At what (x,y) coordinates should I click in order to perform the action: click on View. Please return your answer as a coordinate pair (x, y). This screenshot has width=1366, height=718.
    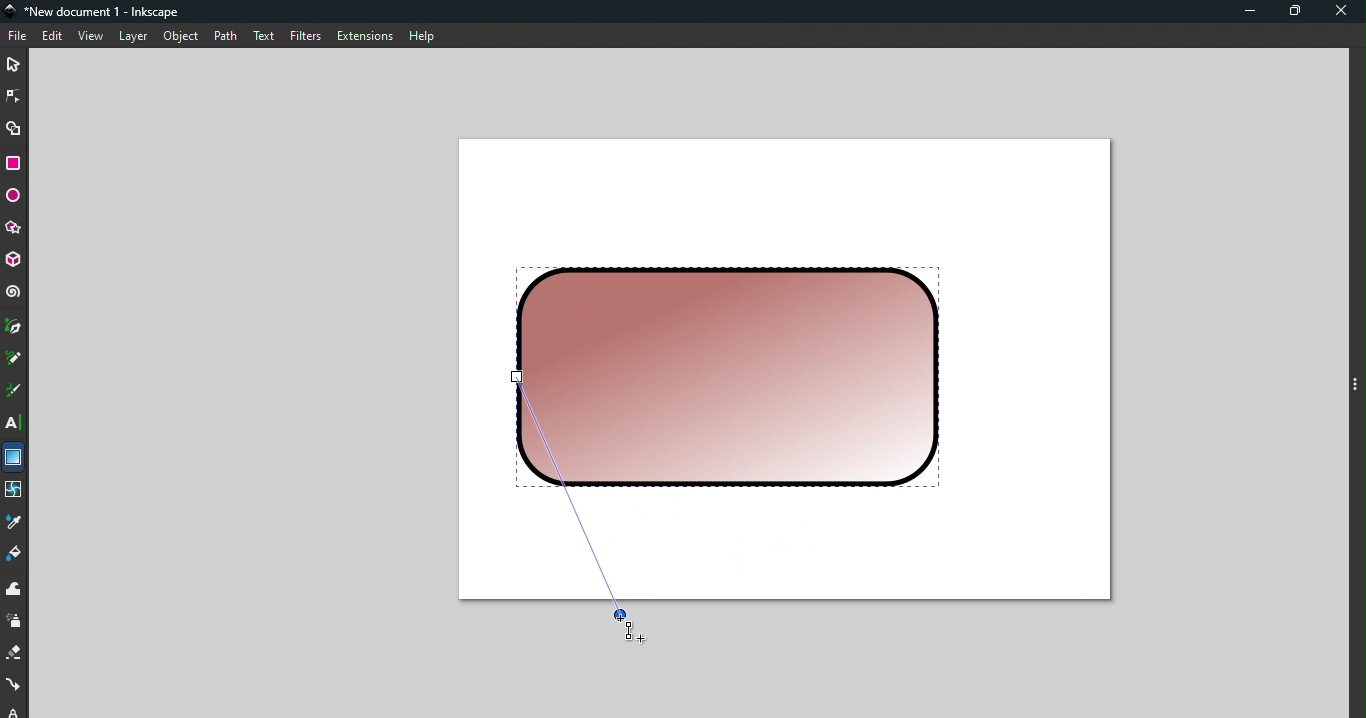
    Looking at the image, I should click on (93, 37).